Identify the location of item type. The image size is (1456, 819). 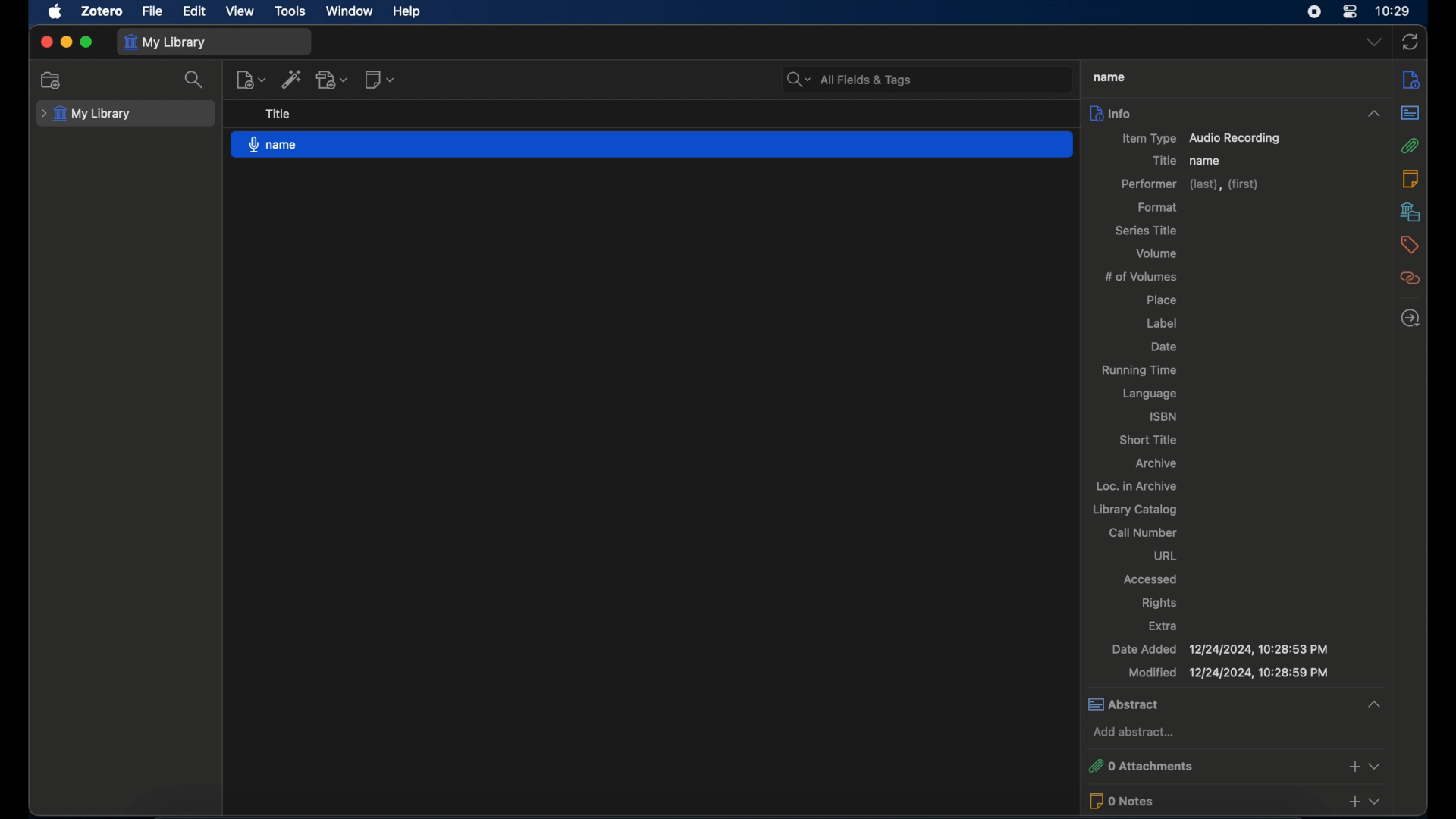
(1203, 139).